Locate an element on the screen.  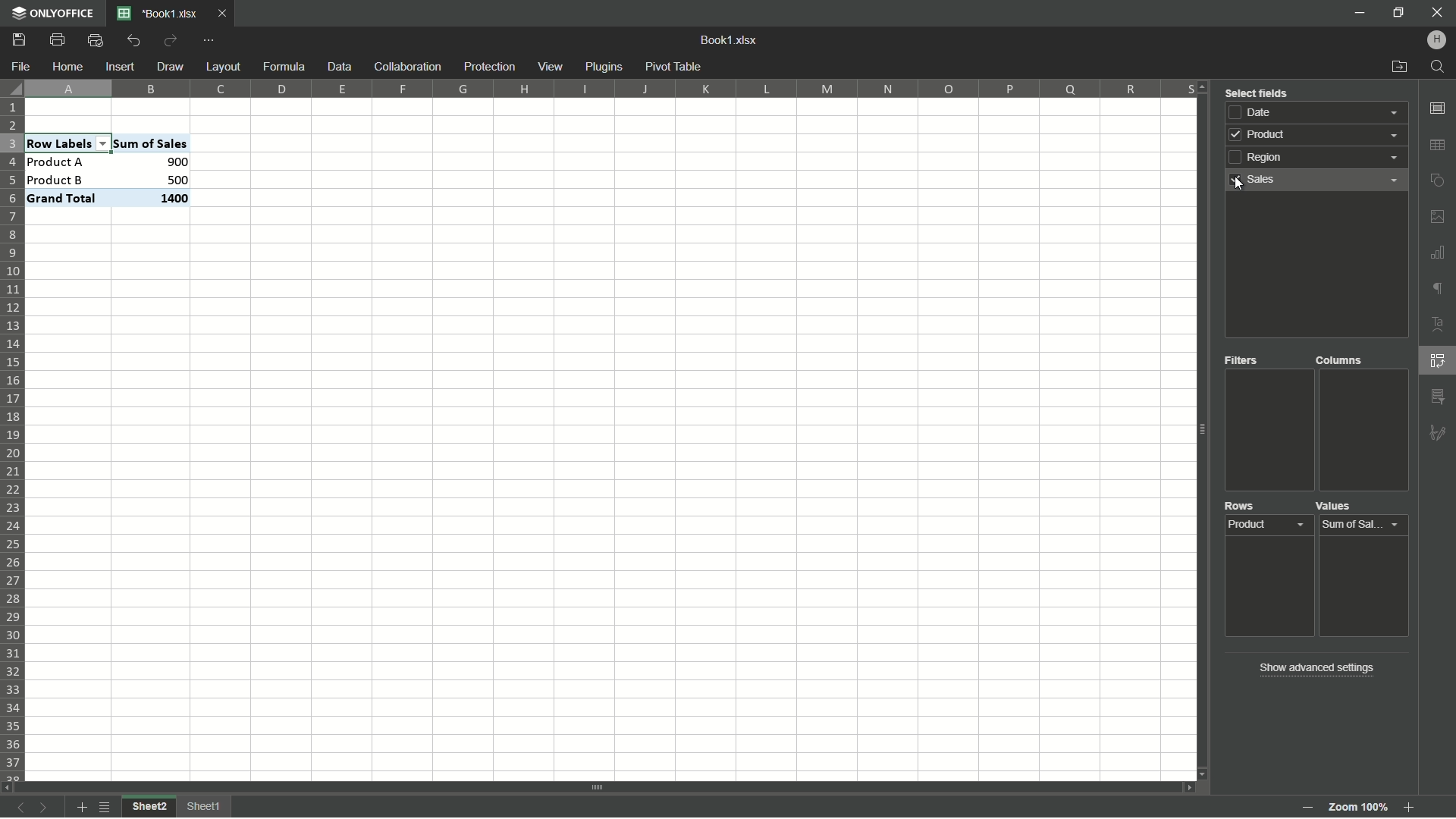
Layout is located at coordinates (221, 66).